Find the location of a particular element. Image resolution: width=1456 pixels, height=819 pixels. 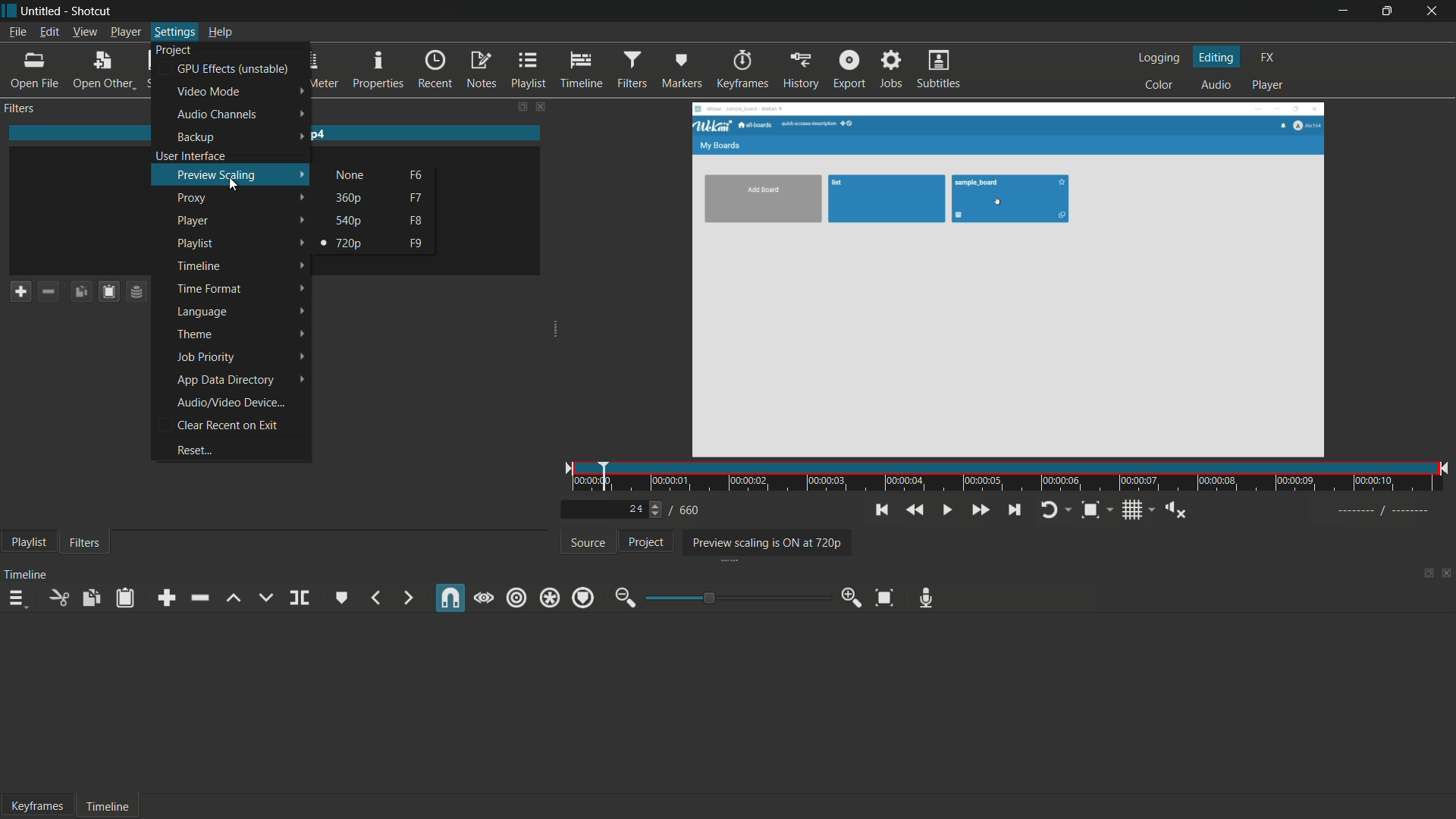

720p is located at coordinates (348, 243).